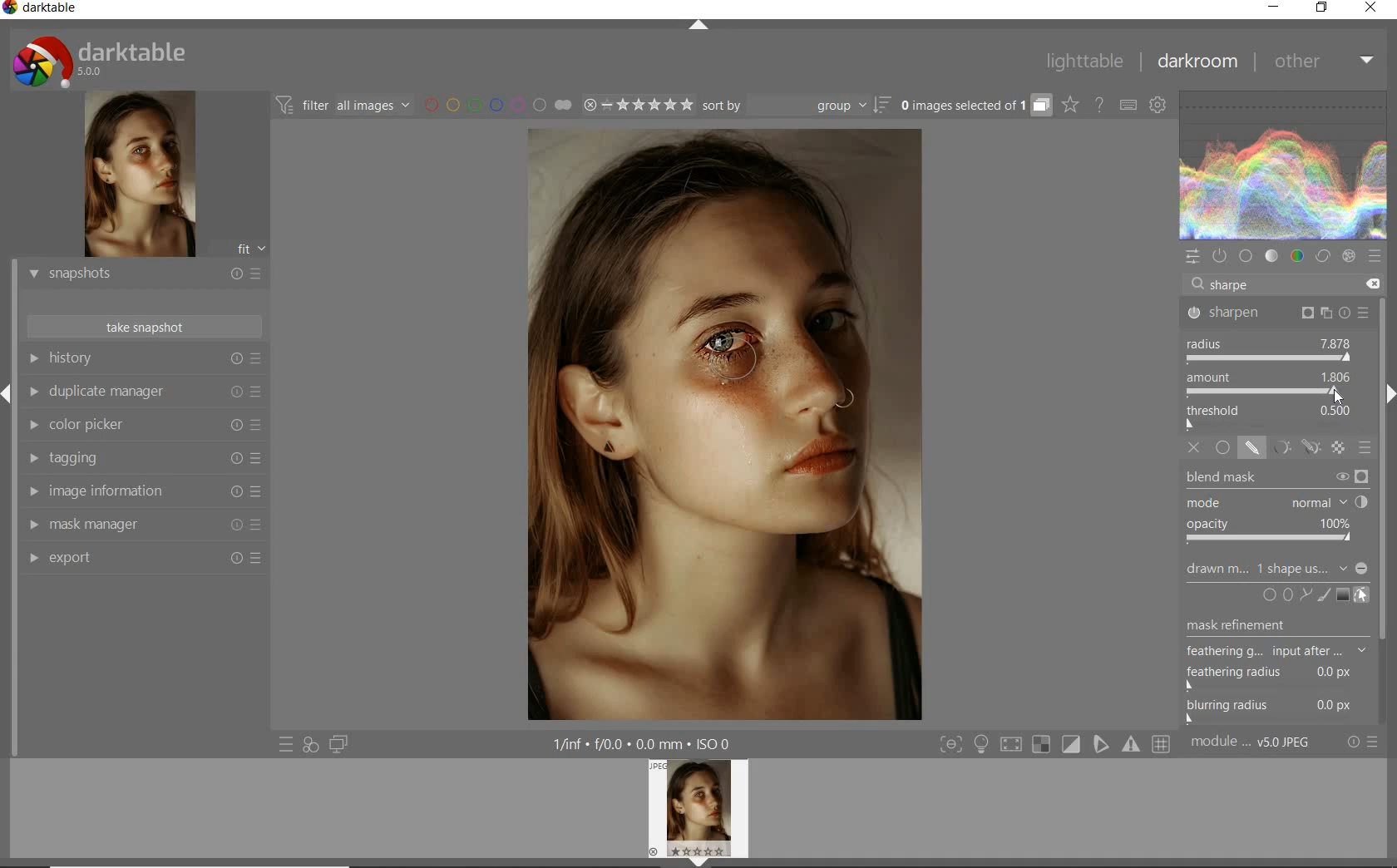  I want to click on snapshots, so click(144, 275).